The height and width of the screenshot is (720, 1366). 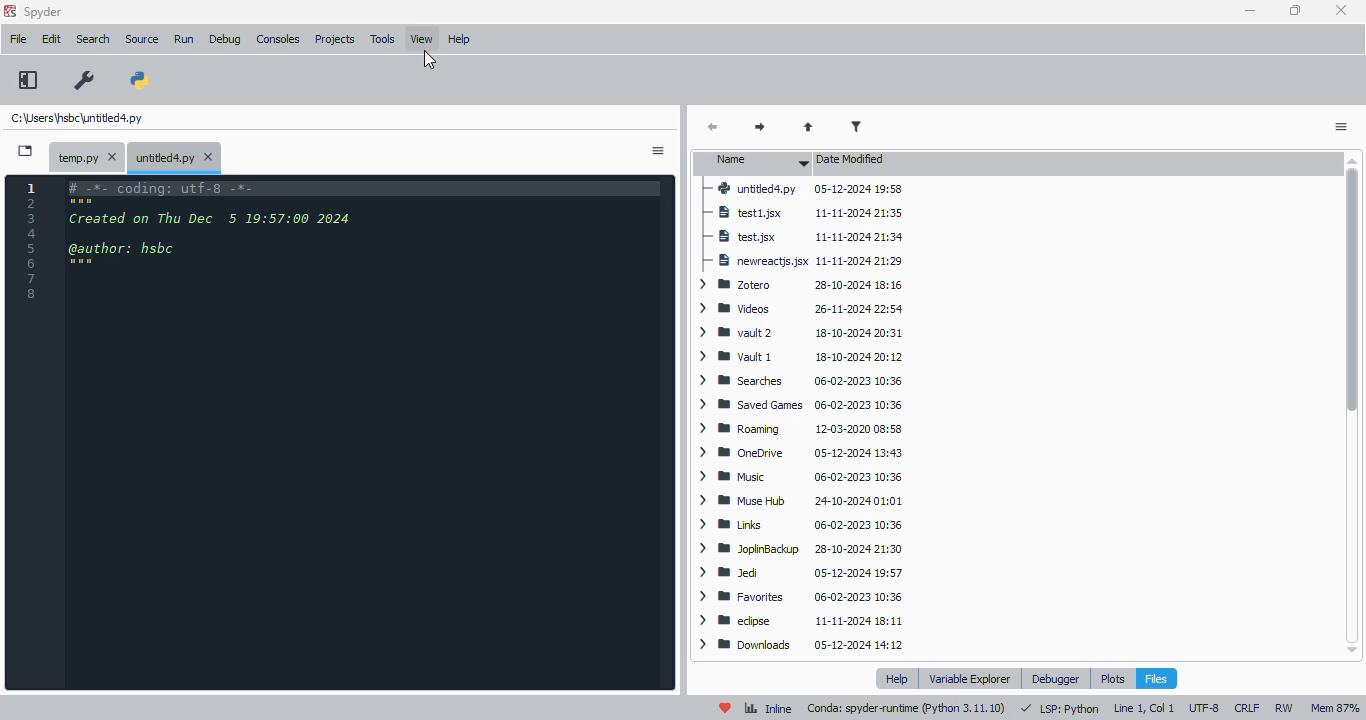 I want to click on Music, so click(x=795, y=475).